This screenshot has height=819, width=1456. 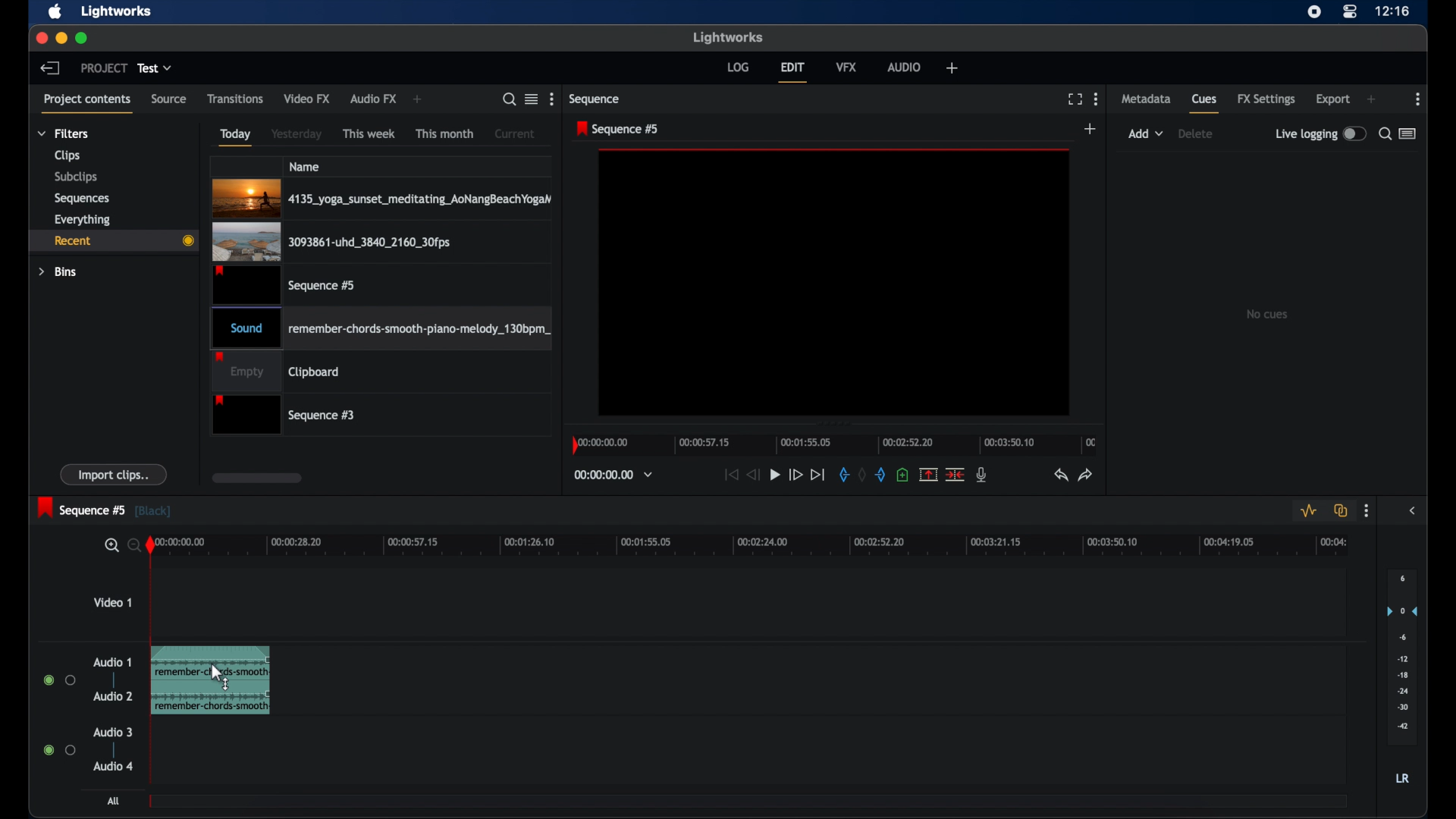 I want to click on Sequence #3, so click(x=286, y=416).